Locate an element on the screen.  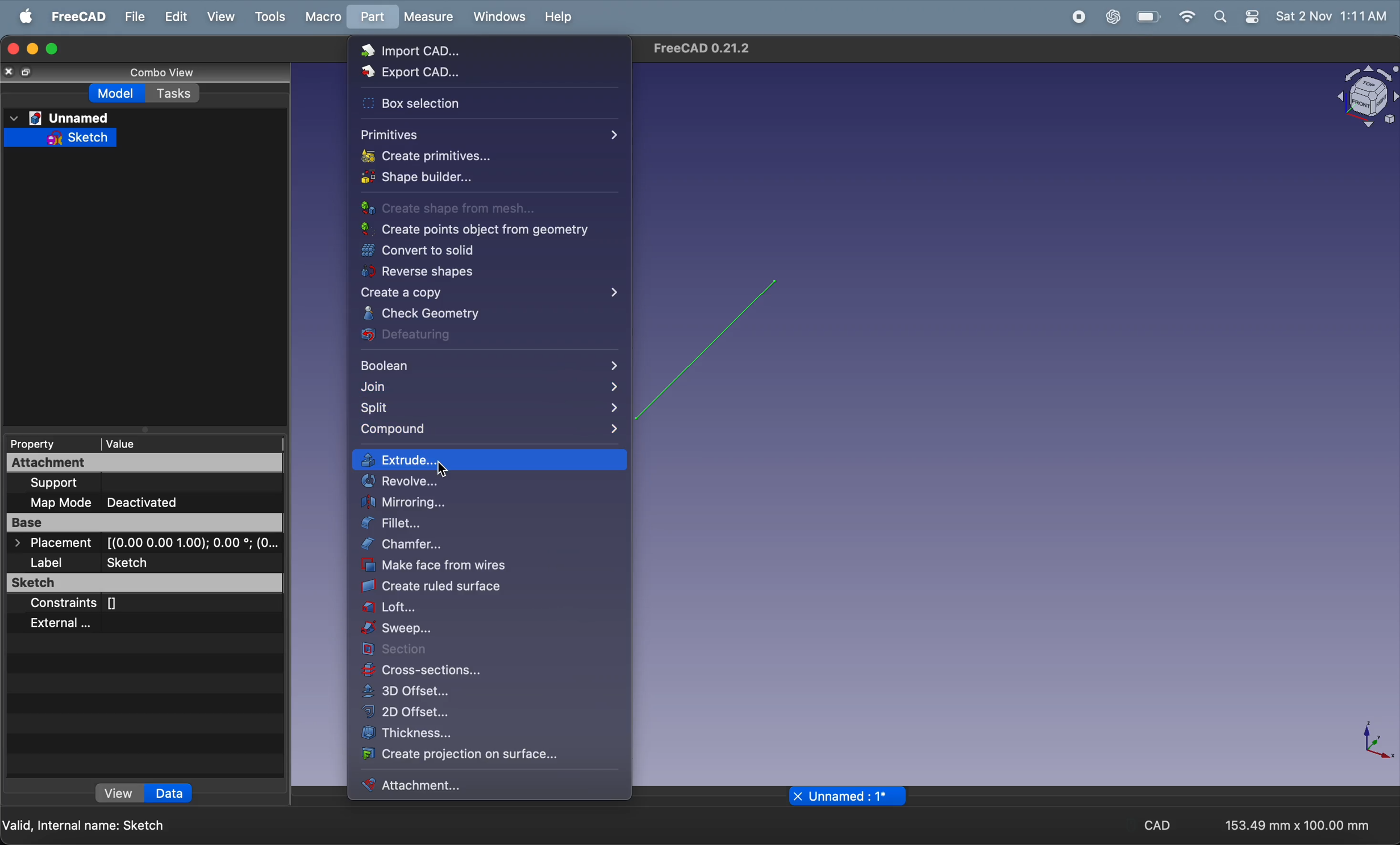
attachment is located at coordinates (145, 463).